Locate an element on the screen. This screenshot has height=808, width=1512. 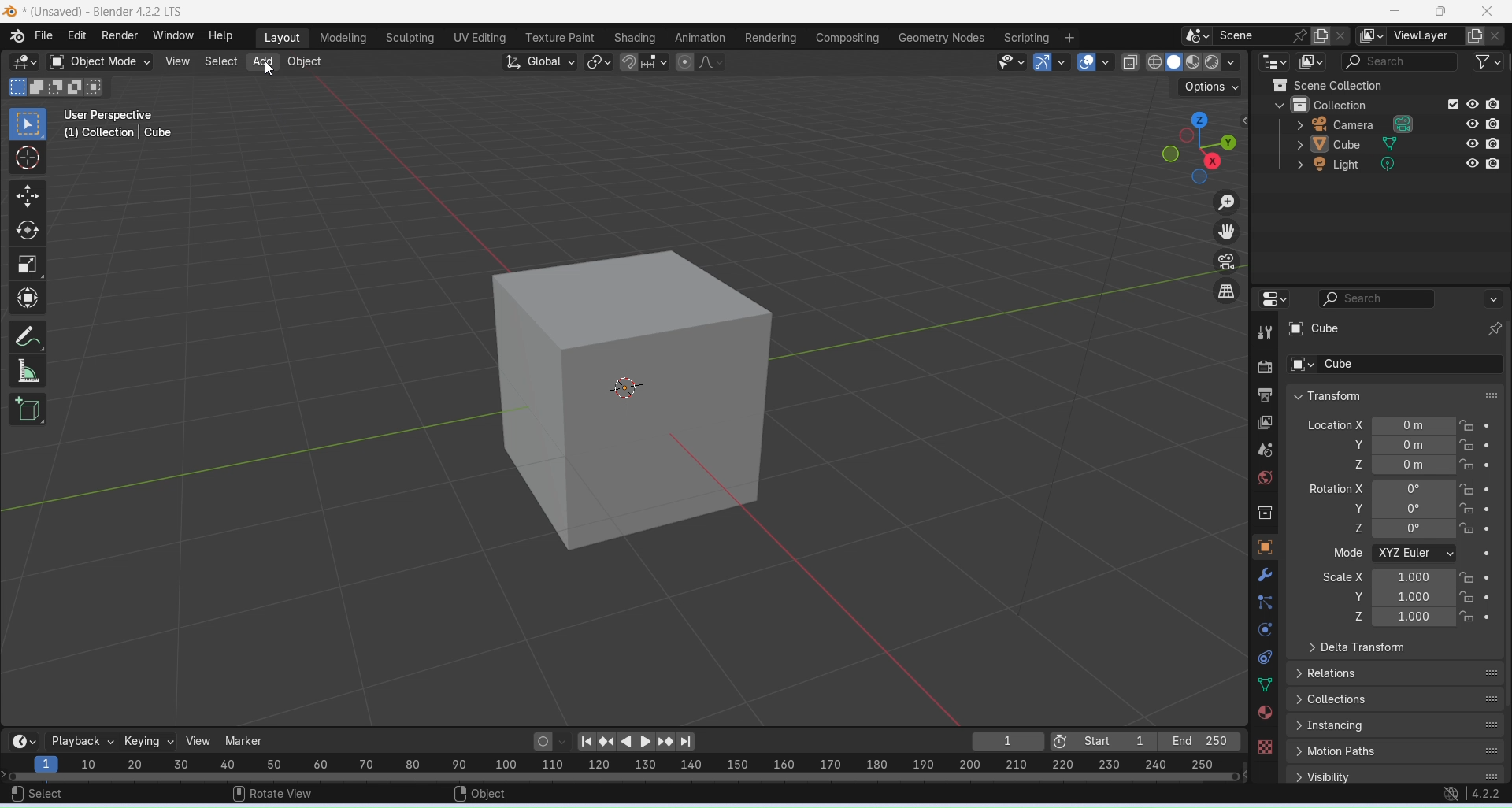
Playback is located at coordinates (79, 740).